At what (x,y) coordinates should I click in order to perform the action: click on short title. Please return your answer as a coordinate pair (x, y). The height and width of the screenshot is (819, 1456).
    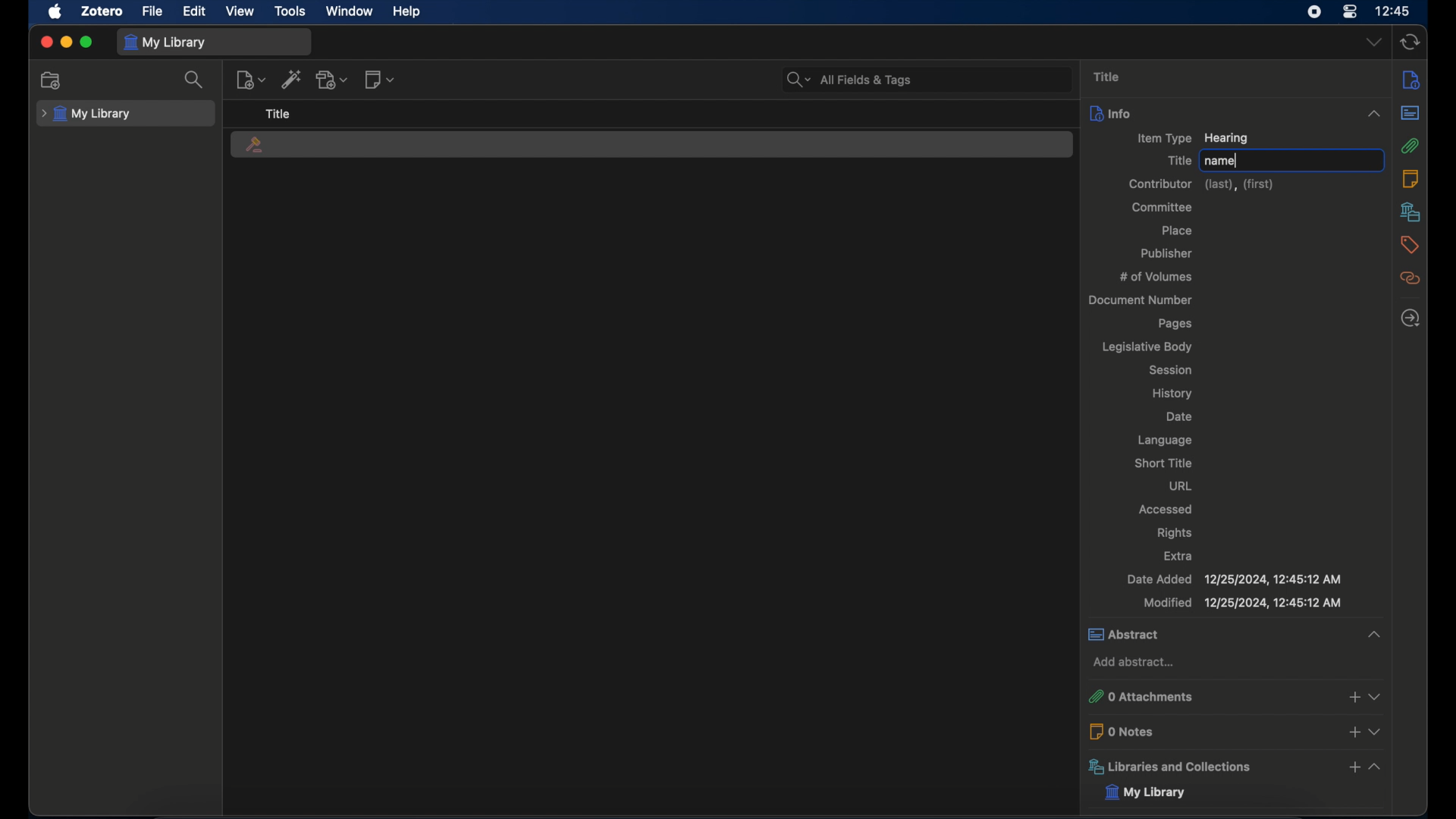
    Looking at the image, I should click on (1164, 463).